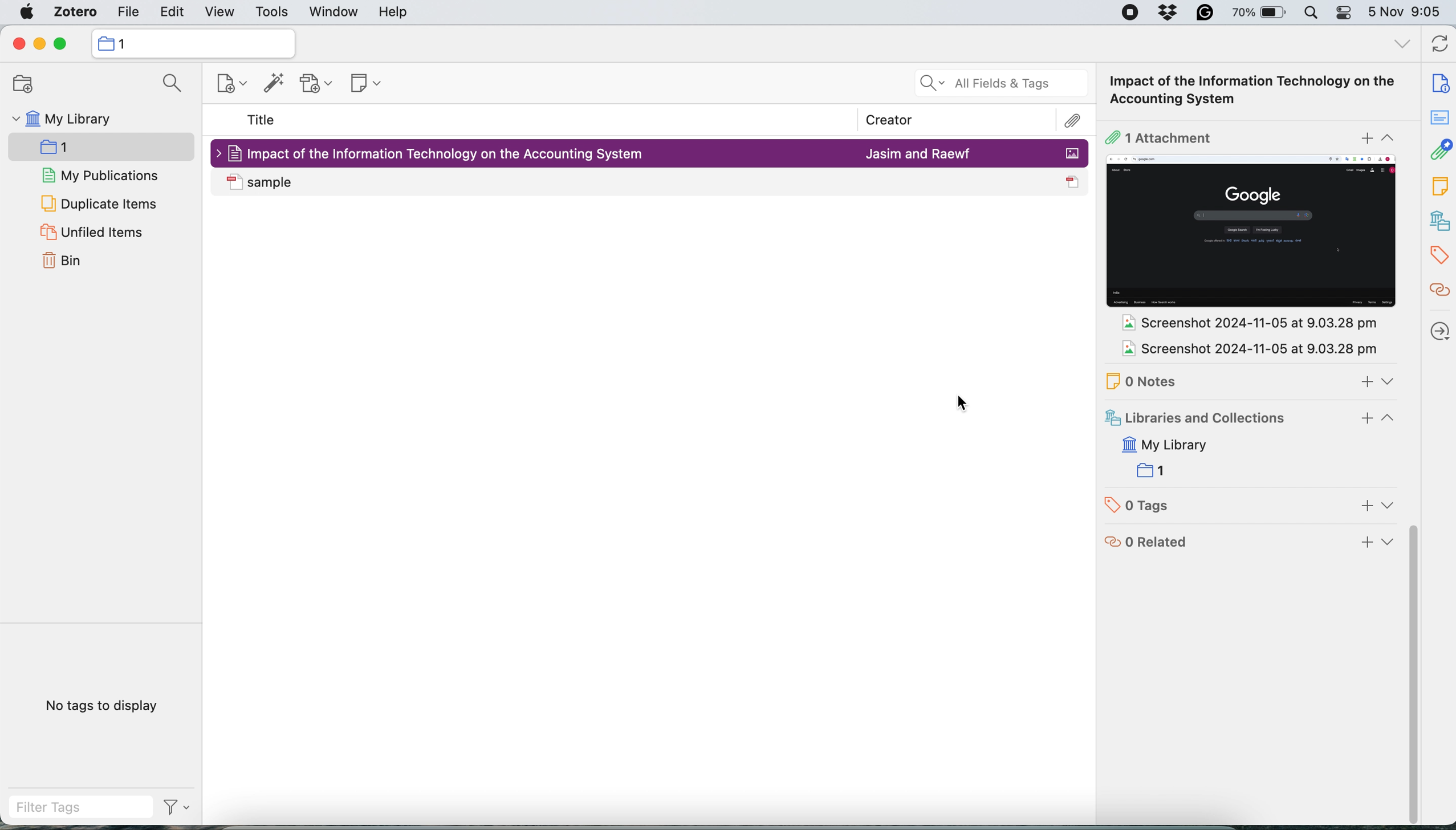 This screenshot has height=830, width=1456. Describe the element at coordinates (1437, 220) in the screenshot. I see `libraries and collection` at that location.